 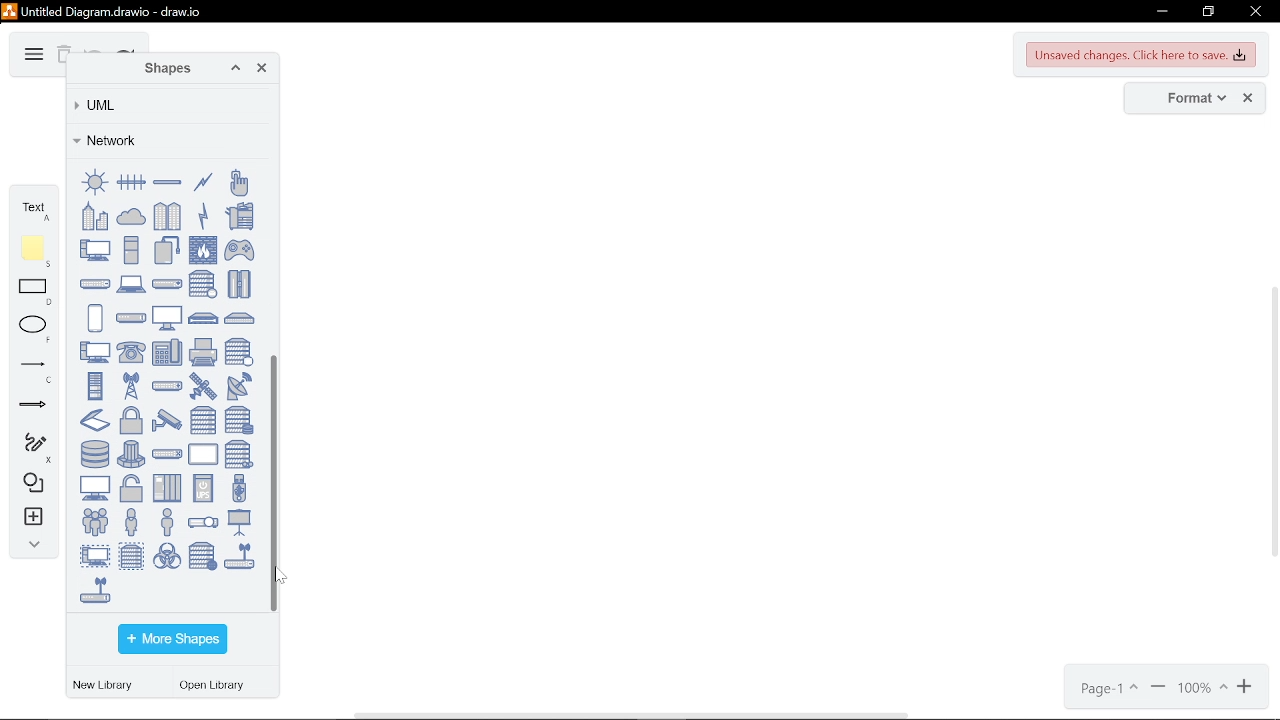 I want to click on page, so click(x=1107, y=689).